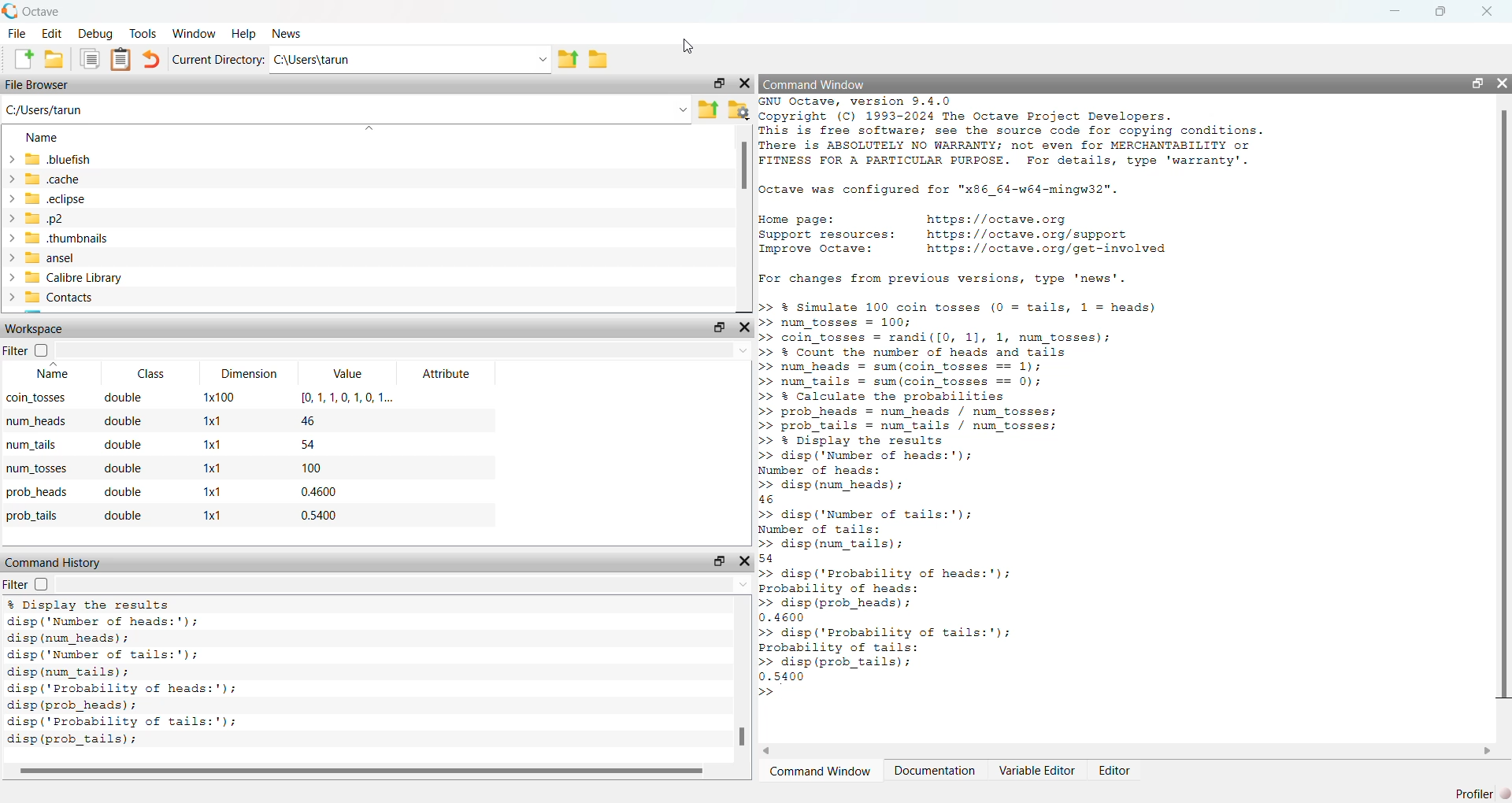 The height and width of the screenshot is (803, 1512). Describe the element at coordinates (36, 492) in the screenshot. I see `prob_heads` at that location.